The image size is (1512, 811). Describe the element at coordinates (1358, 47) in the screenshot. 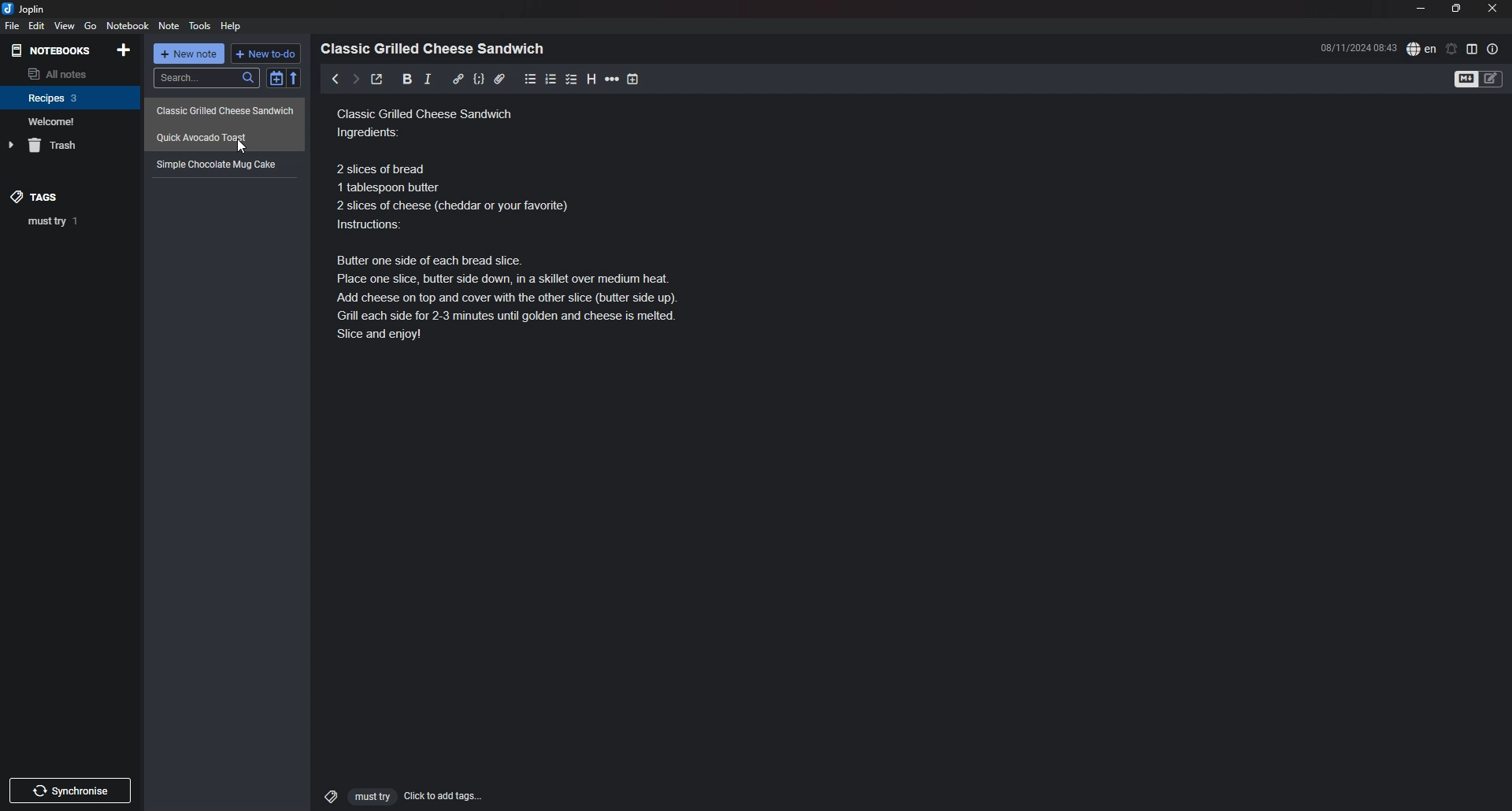

I see `time` at that location.